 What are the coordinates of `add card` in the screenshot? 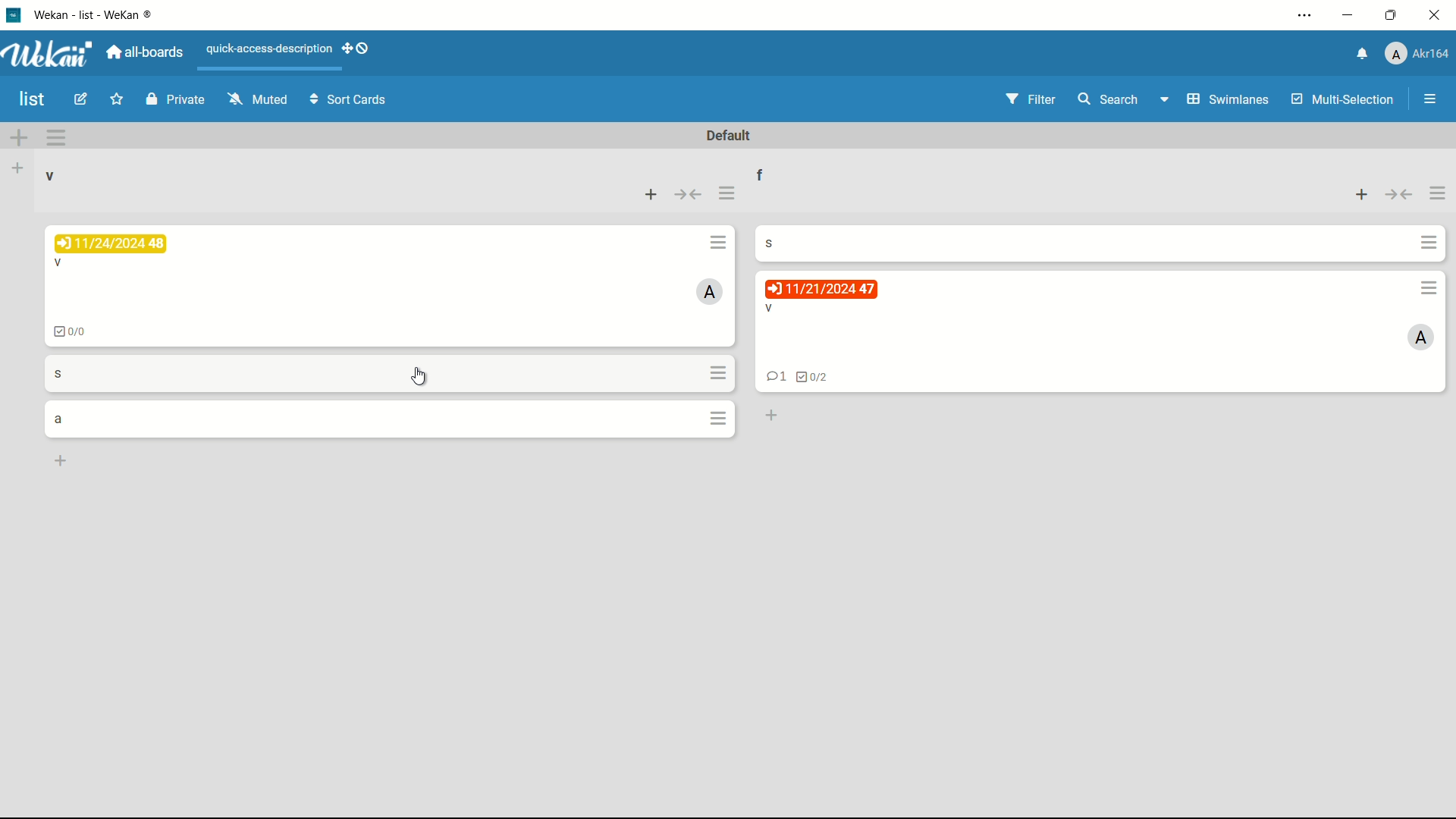 It's located at (61, 462).